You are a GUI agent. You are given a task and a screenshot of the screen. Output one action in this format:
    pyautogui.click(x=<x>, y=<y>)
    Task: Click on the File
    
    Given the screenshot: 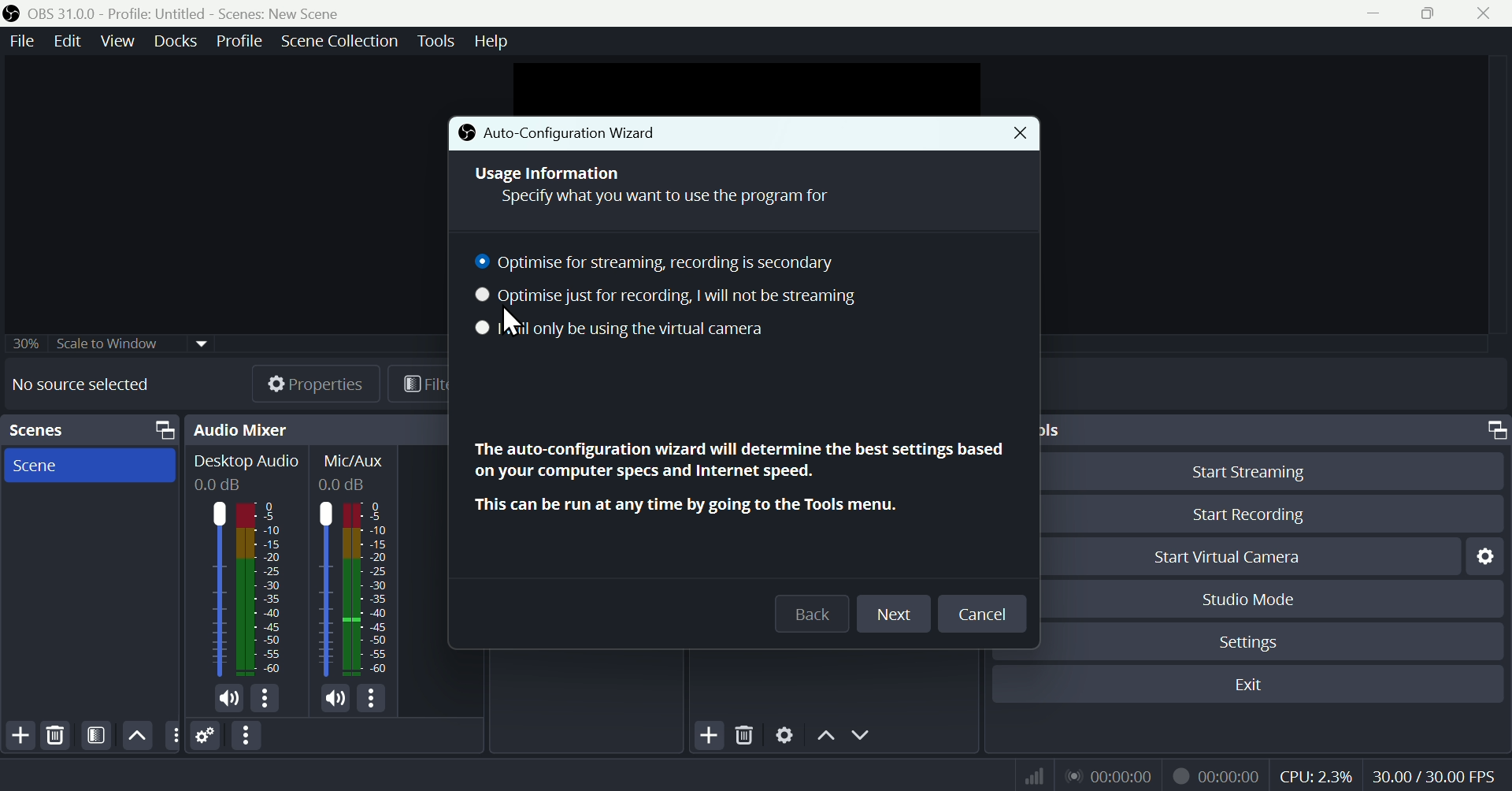 What is the action you would take?
    pyautogui.click(x=24, y=41)
    